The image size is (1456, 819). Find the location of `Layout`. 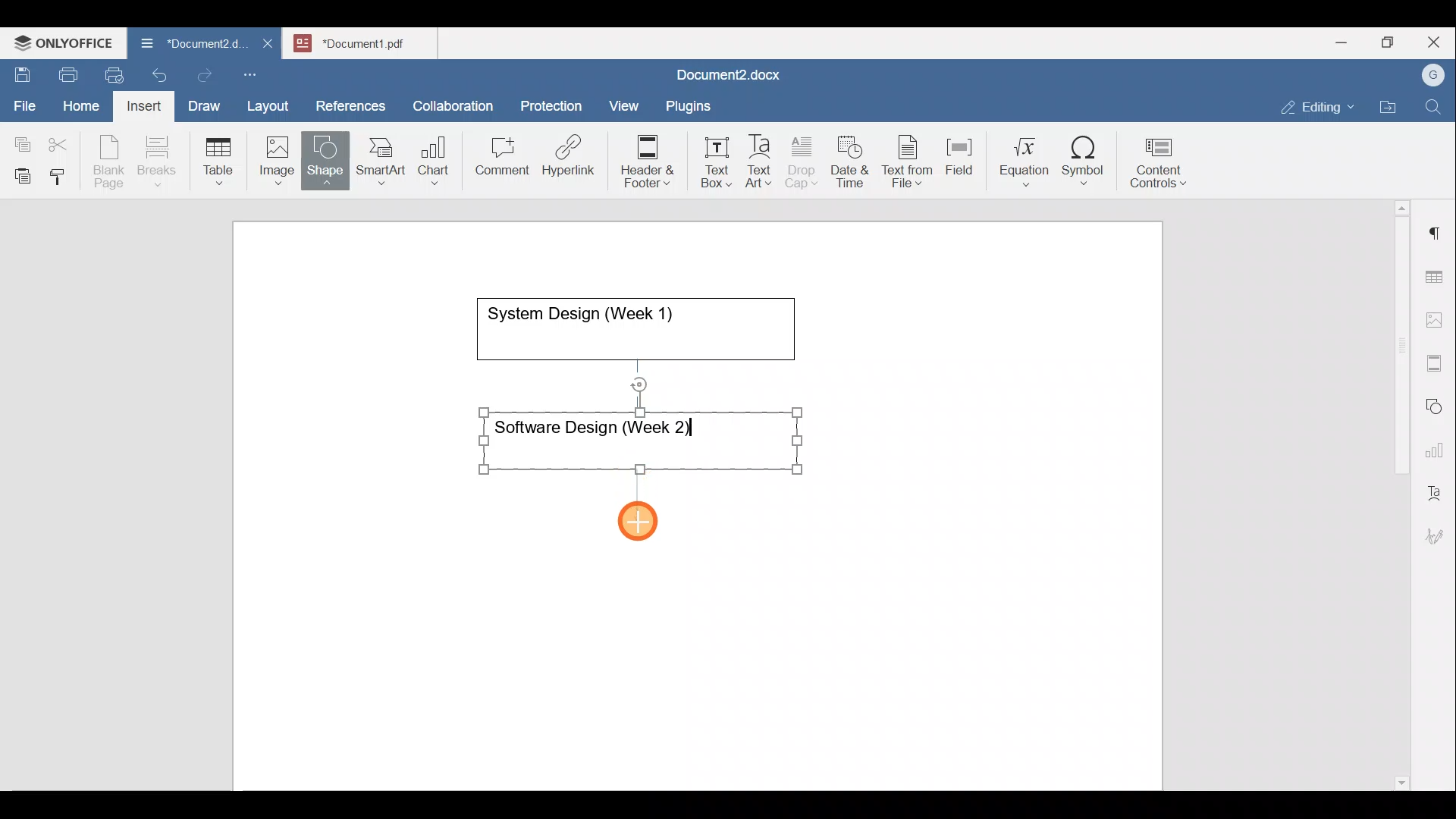

Layout is located at coordinates (271, 103).